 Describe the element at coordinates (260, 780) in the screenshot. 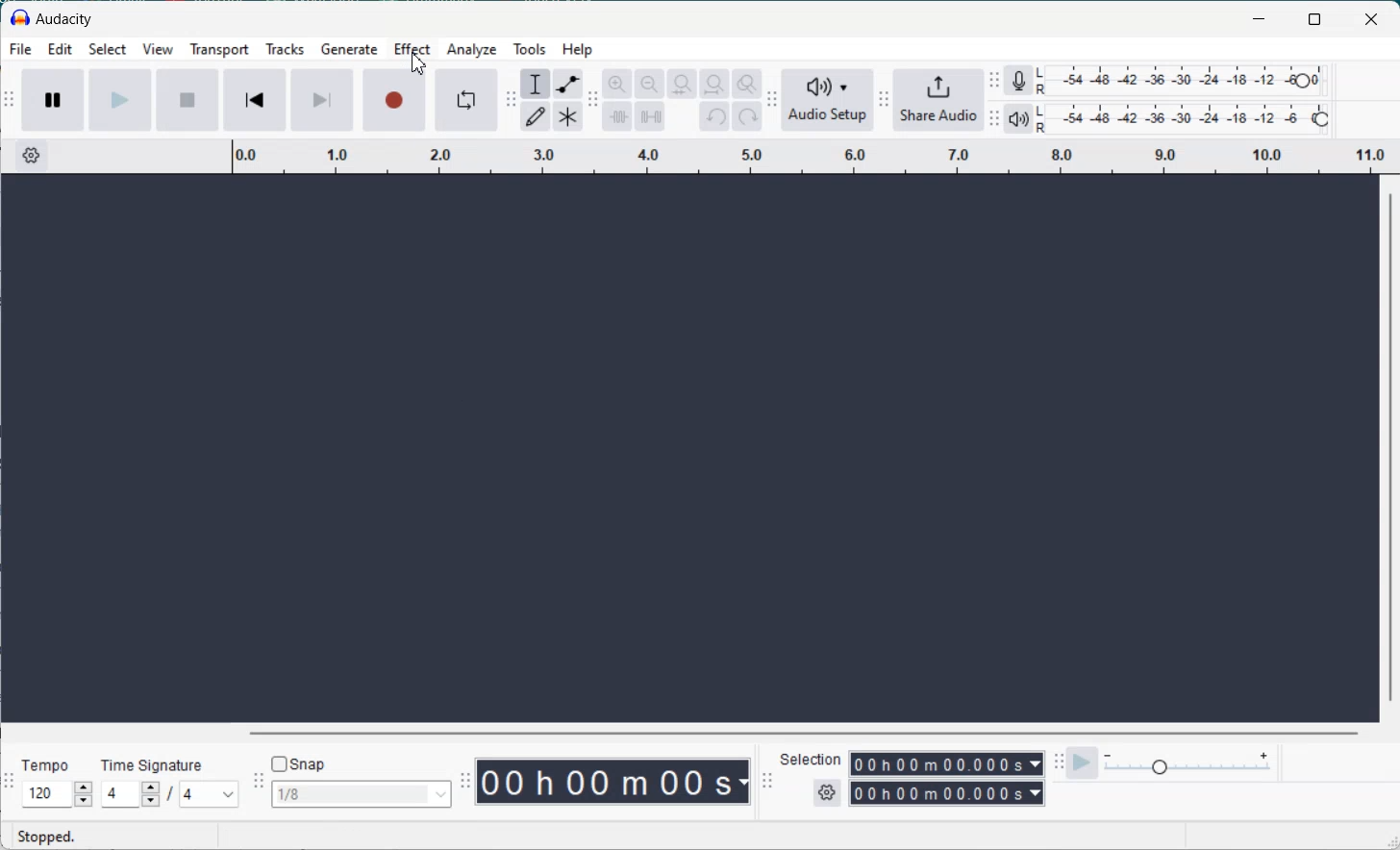

I see `Audacity snapping toolbar` at that location.